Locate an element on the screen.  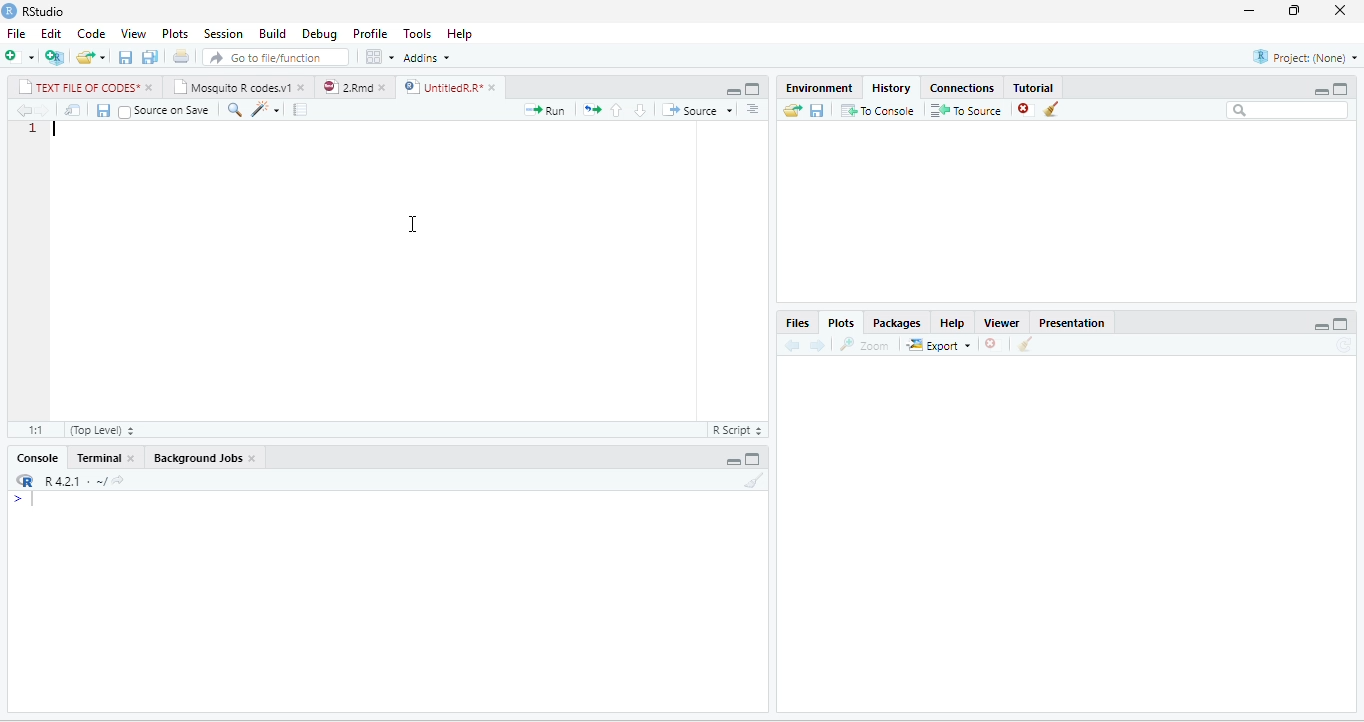
typing cursor is located at coordinates (57, 129).